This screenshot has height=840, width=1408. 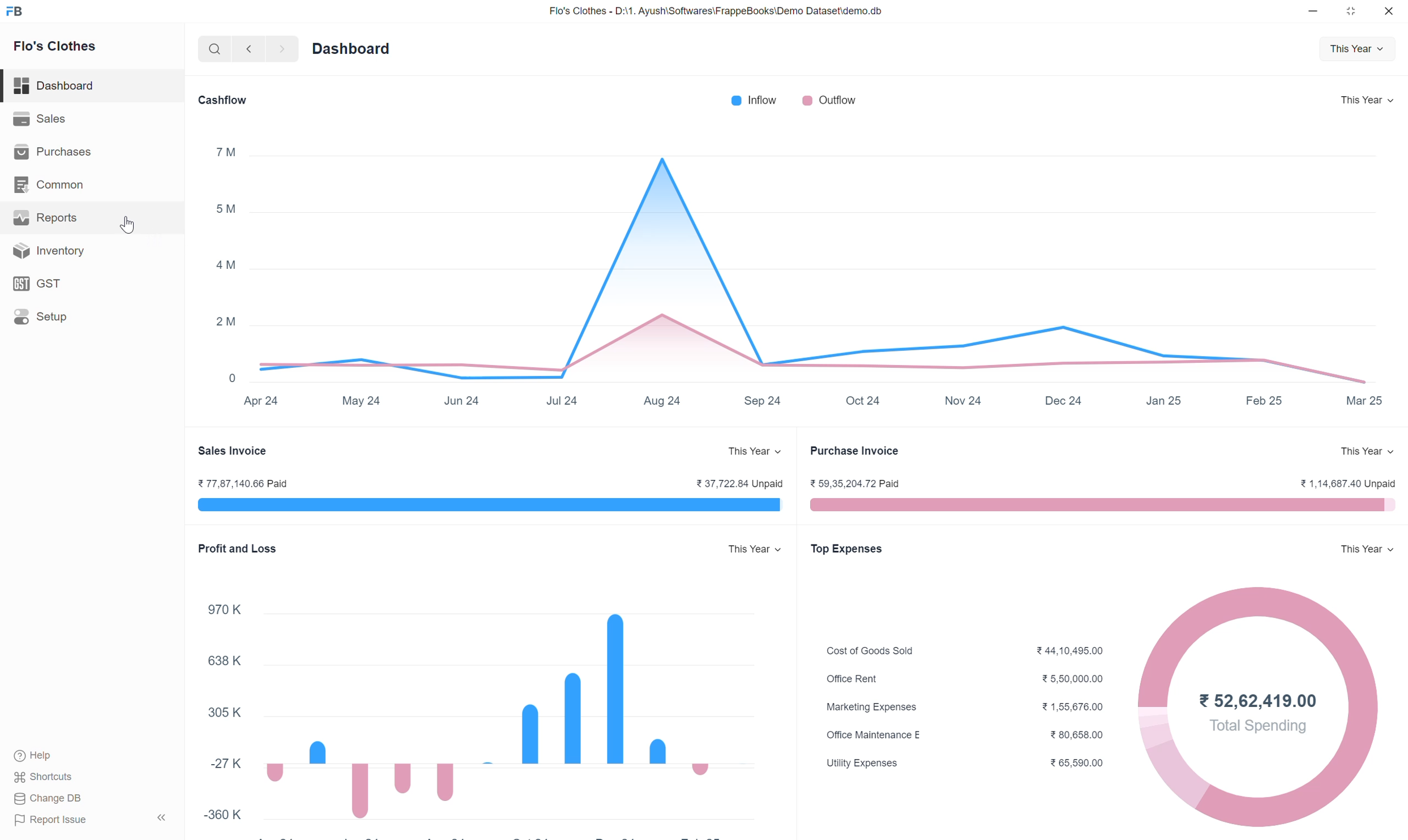 I want to click on Inflow, so click(x=758, y=100).